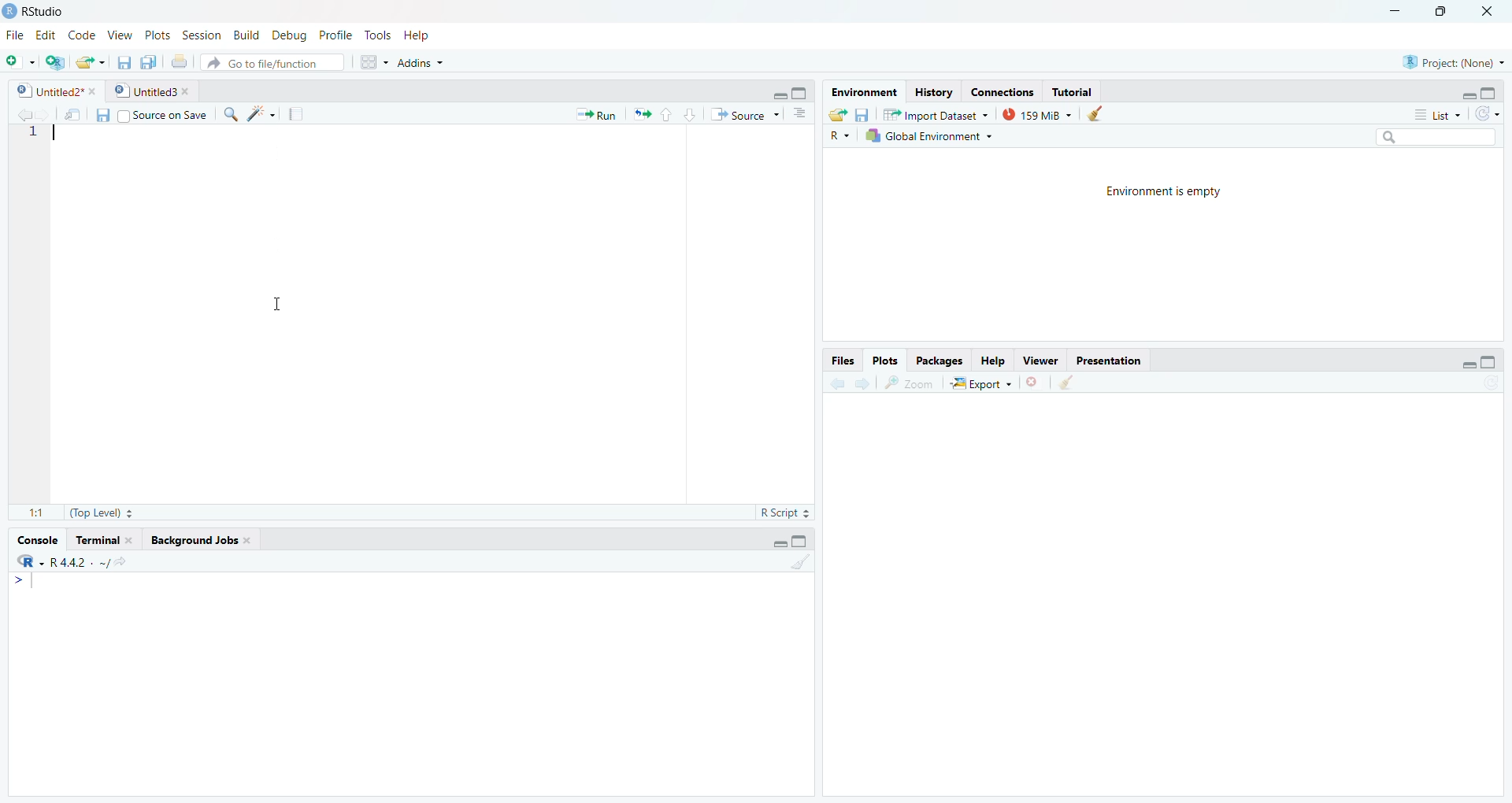  What do you see at coordinates (993, 362) in the screenshot?
I see `Help` at bounding box center [993, 362].